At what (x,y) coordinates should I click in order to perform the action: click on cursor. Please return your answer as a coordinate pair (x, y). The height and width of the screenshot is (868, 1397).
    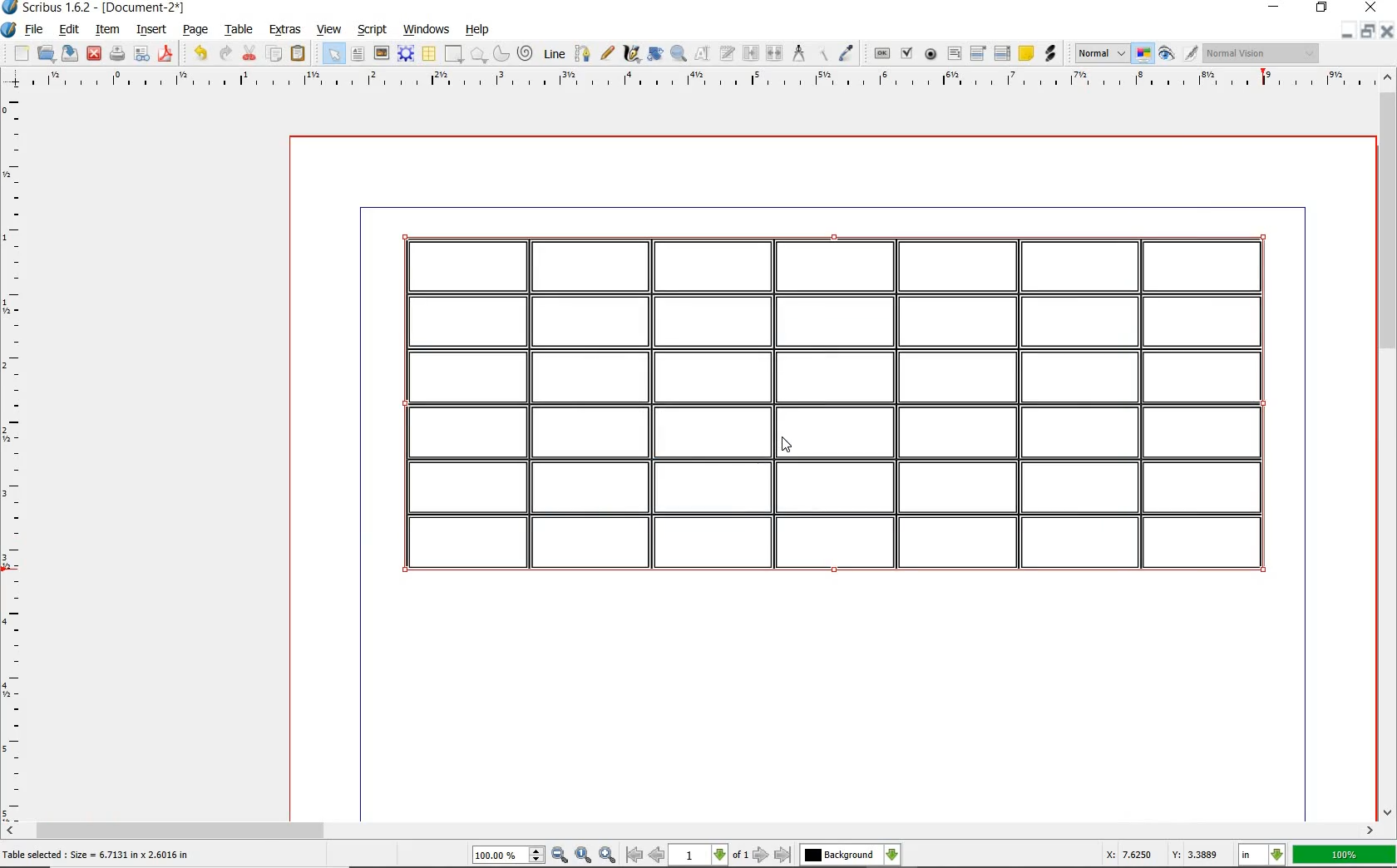
    Looking at the image, I should click on (788, 447).